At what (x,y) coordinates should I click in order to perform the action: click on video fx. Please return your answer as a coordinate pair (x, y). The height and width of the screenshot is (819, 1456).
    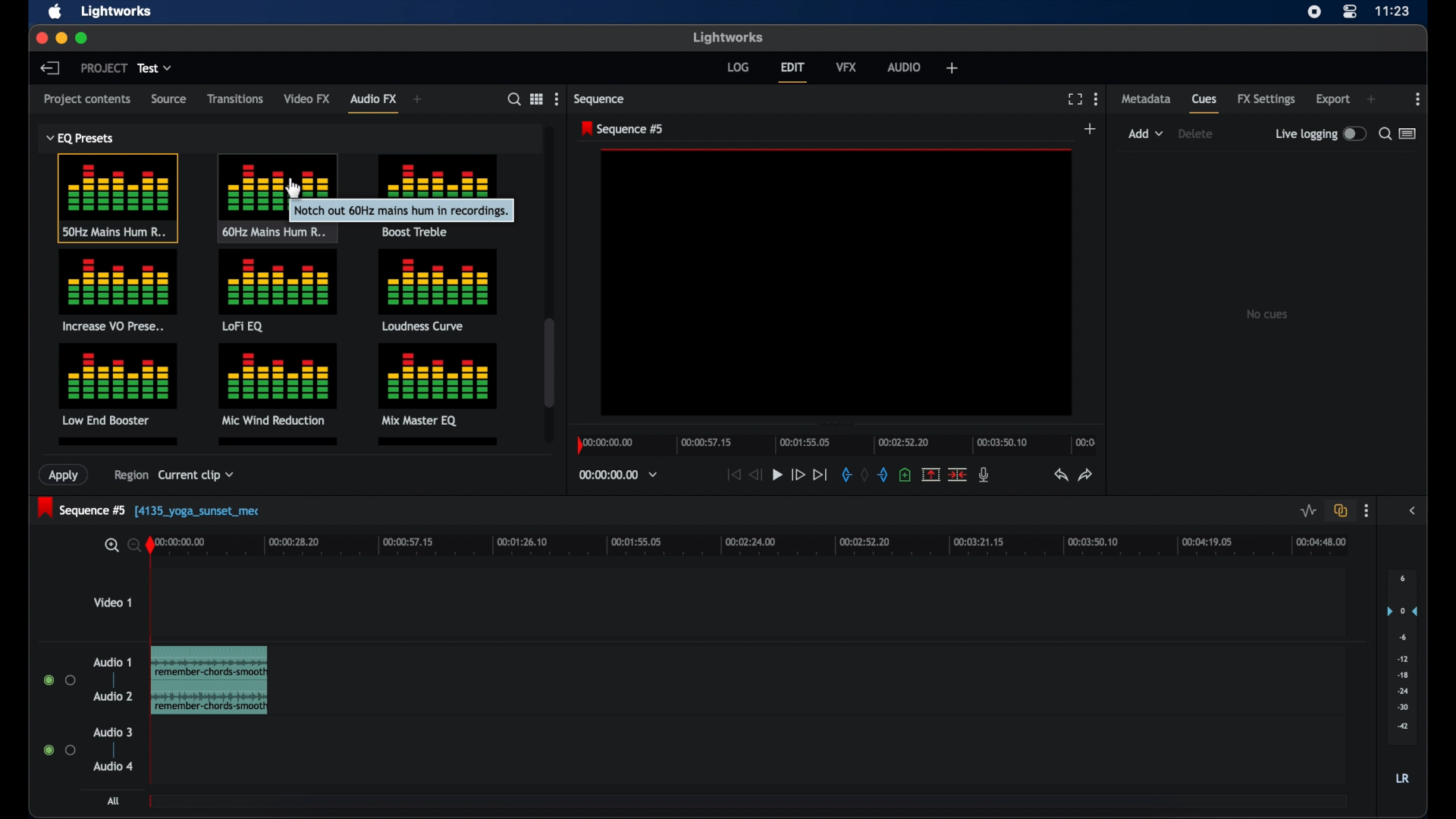
    Looking at the image, I should click on (308, 99).